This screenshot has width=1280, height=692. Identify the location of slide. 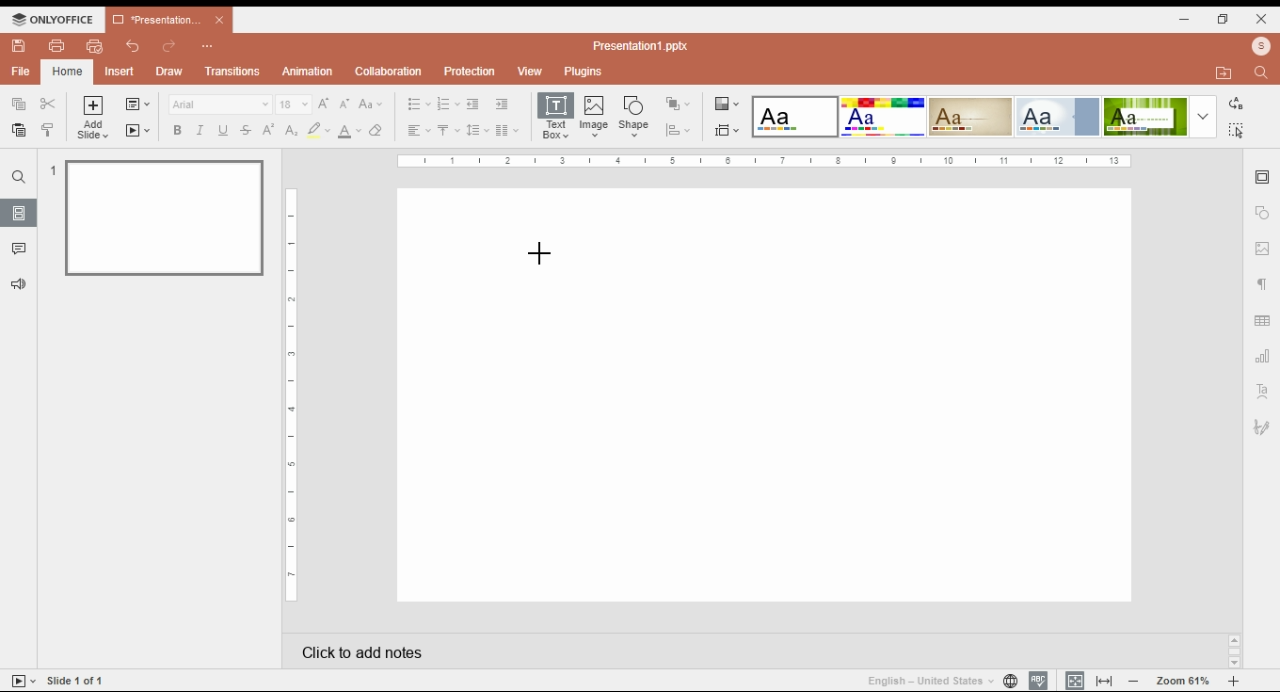
(19, 213).